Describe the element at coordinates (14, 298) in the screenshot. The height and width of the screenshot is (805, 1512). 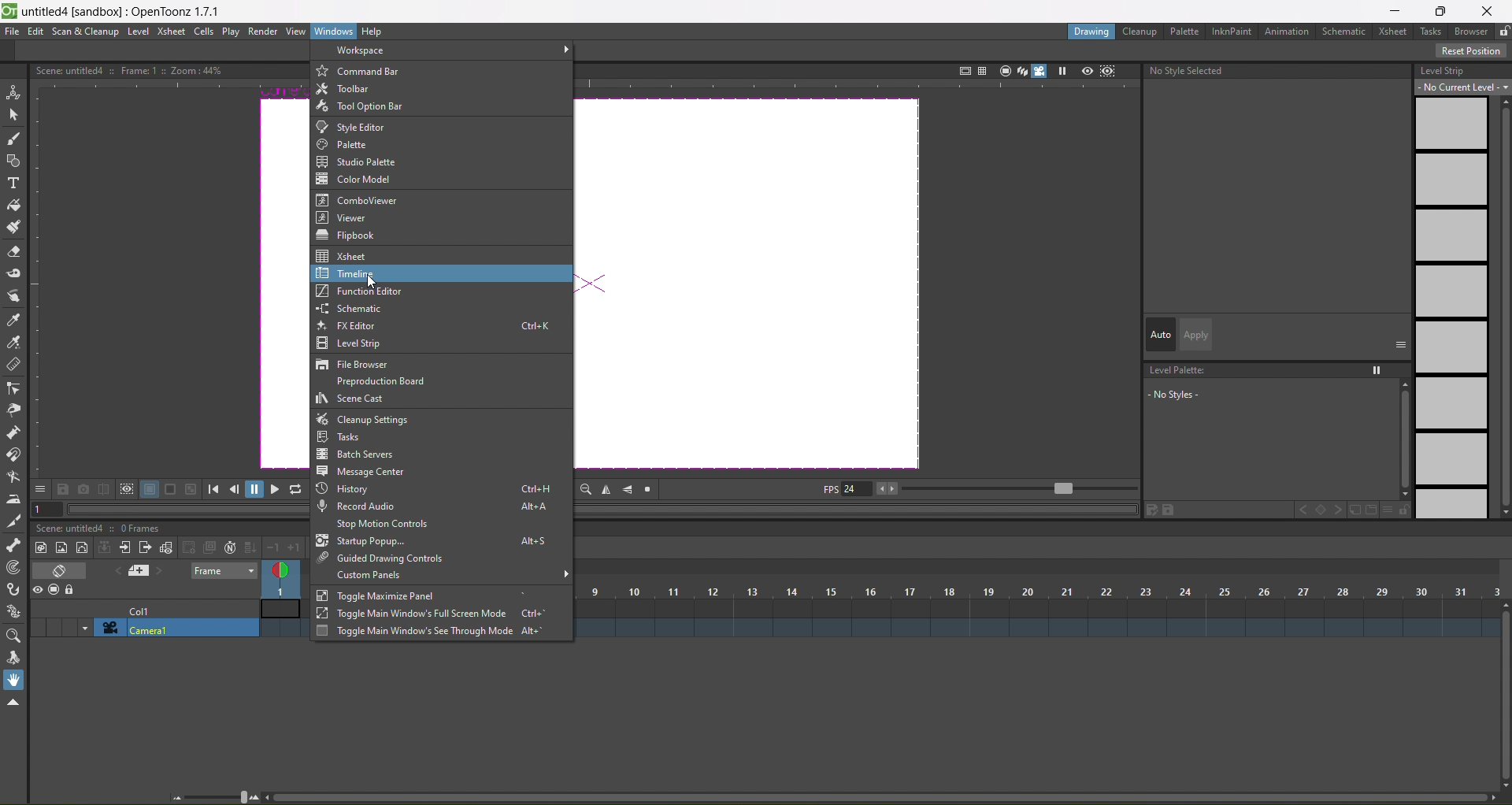
I see `finger tool` at that location.